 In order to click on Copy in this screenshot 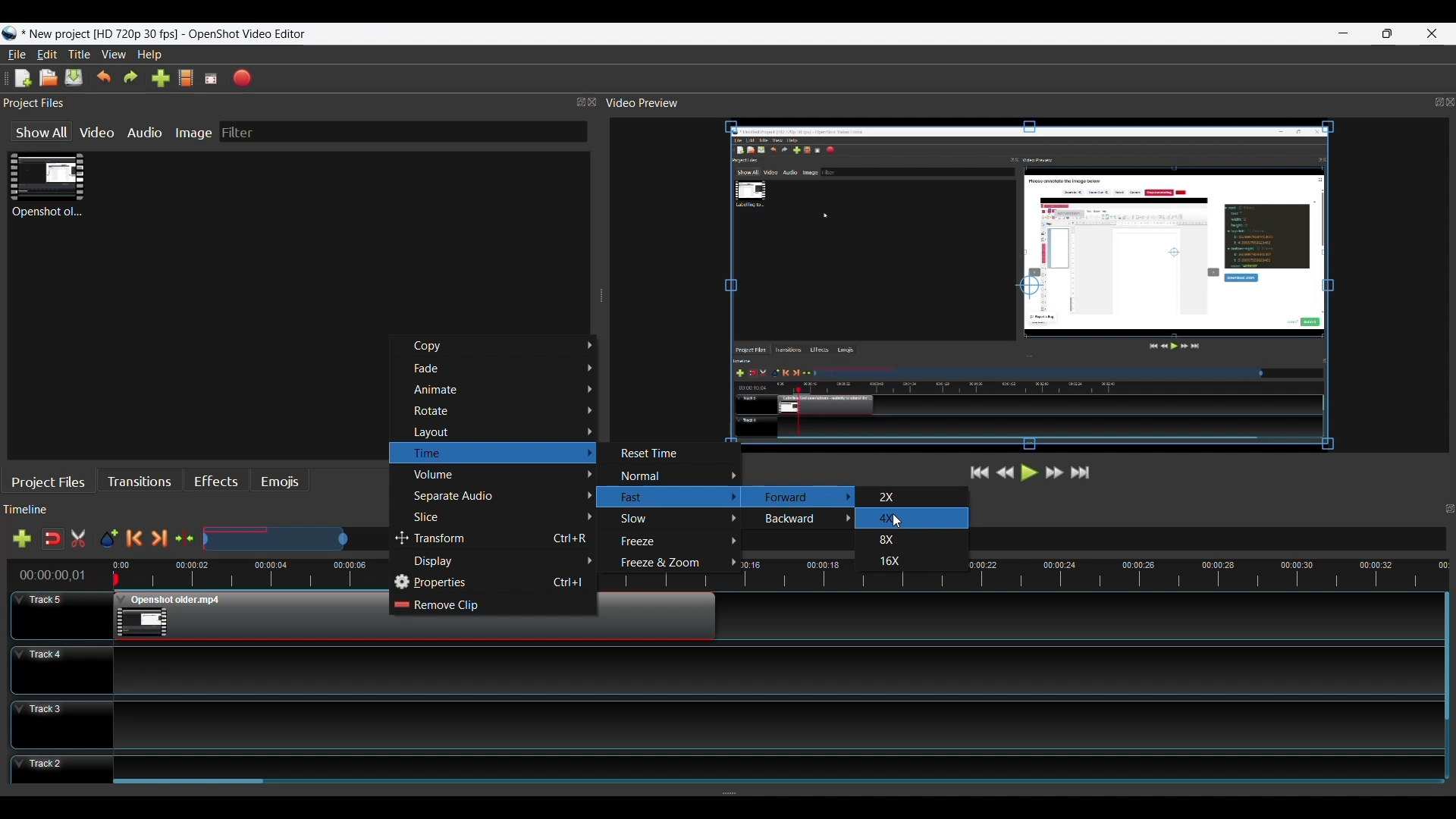, I will do `click(501, 347)`.